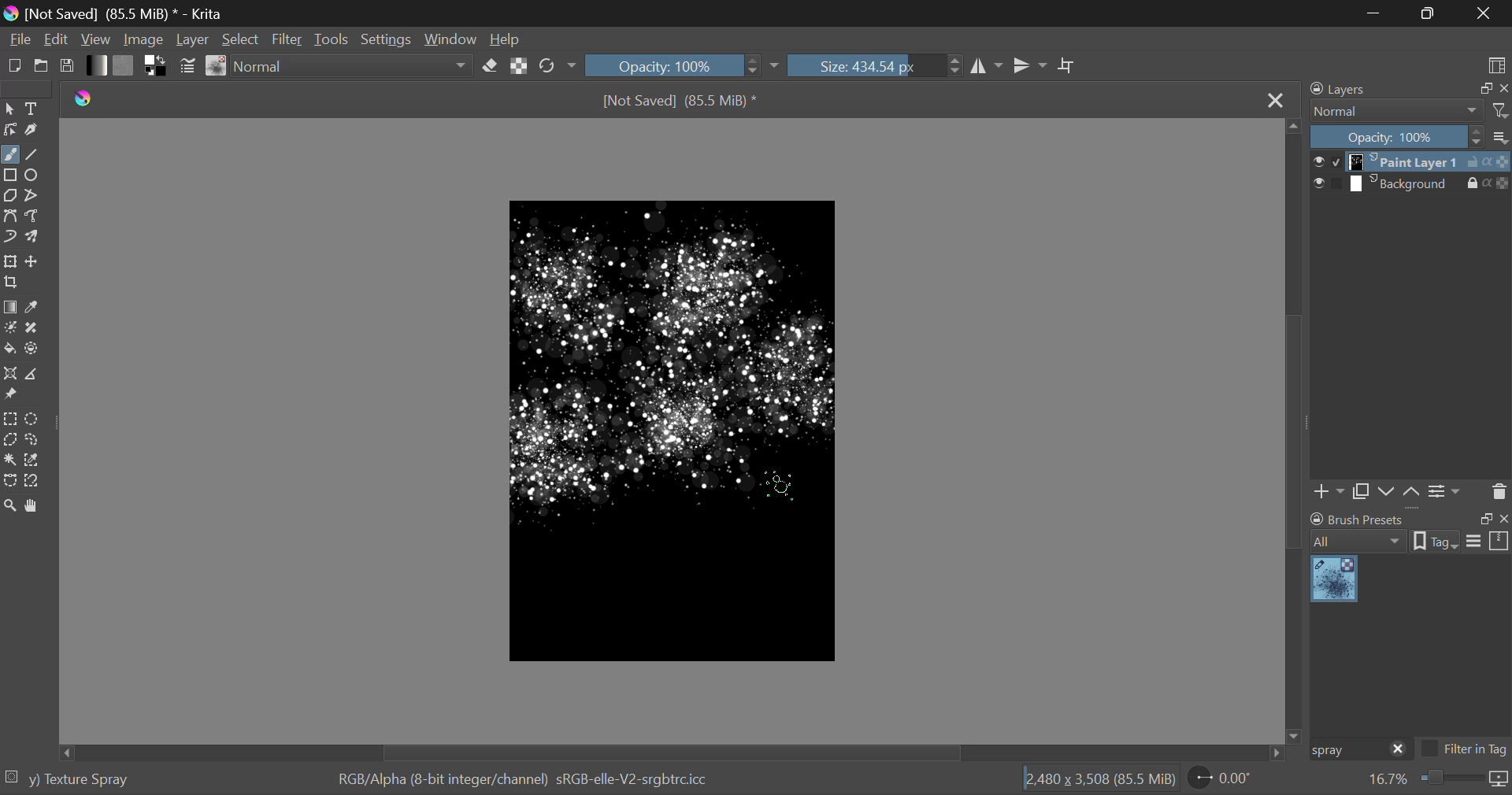 Image resolution: width=1512 pixels, height=795 pixels. Describe the element at coordinates (1327, 184) in the screenshot. I see `checkbox` at that location.